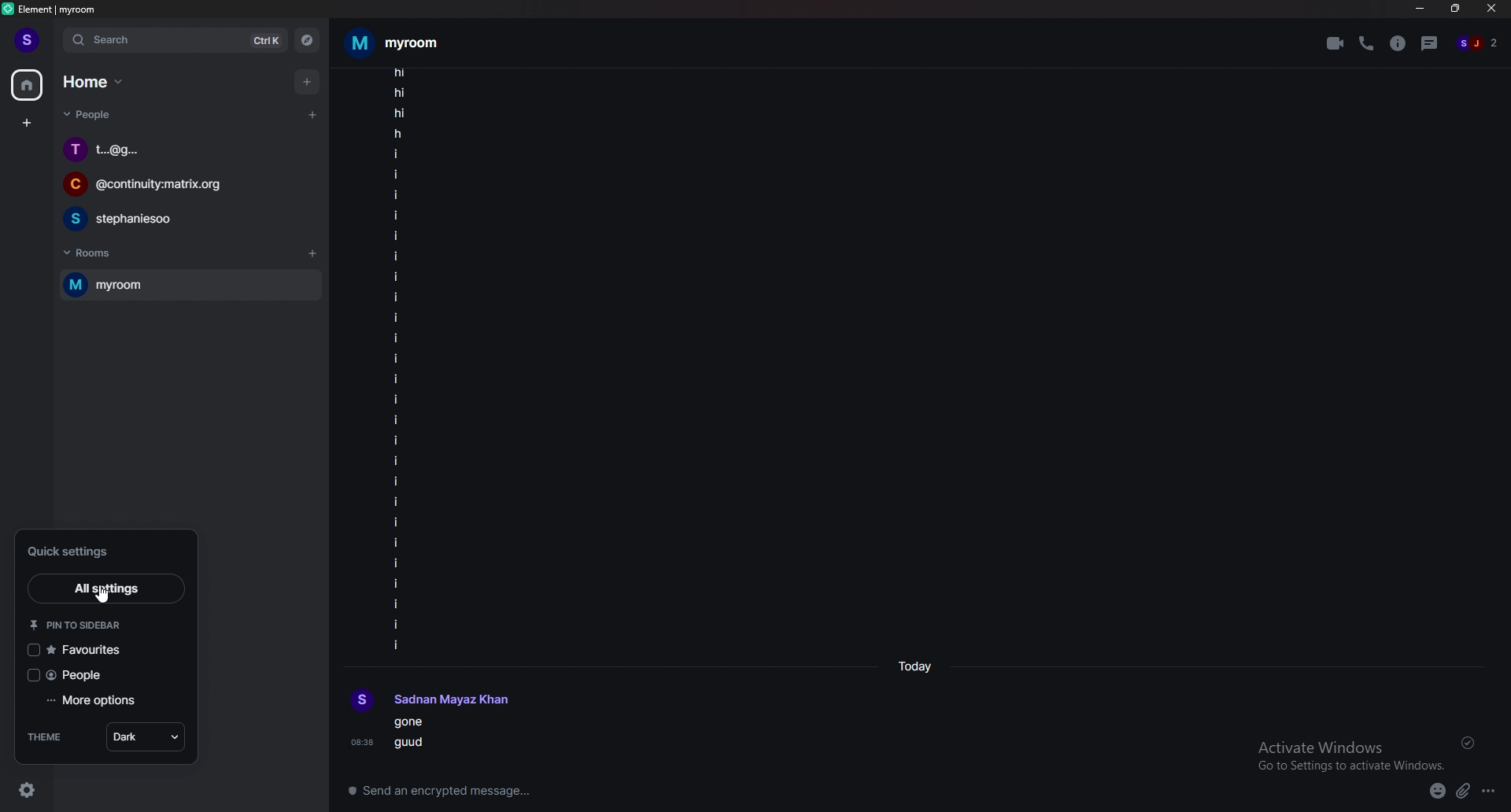 Image resolution: width=1511 pixels, height=812 pixels. Describe the element at coordinates (397, 41) in the screenshot. I see `my room` at that location.